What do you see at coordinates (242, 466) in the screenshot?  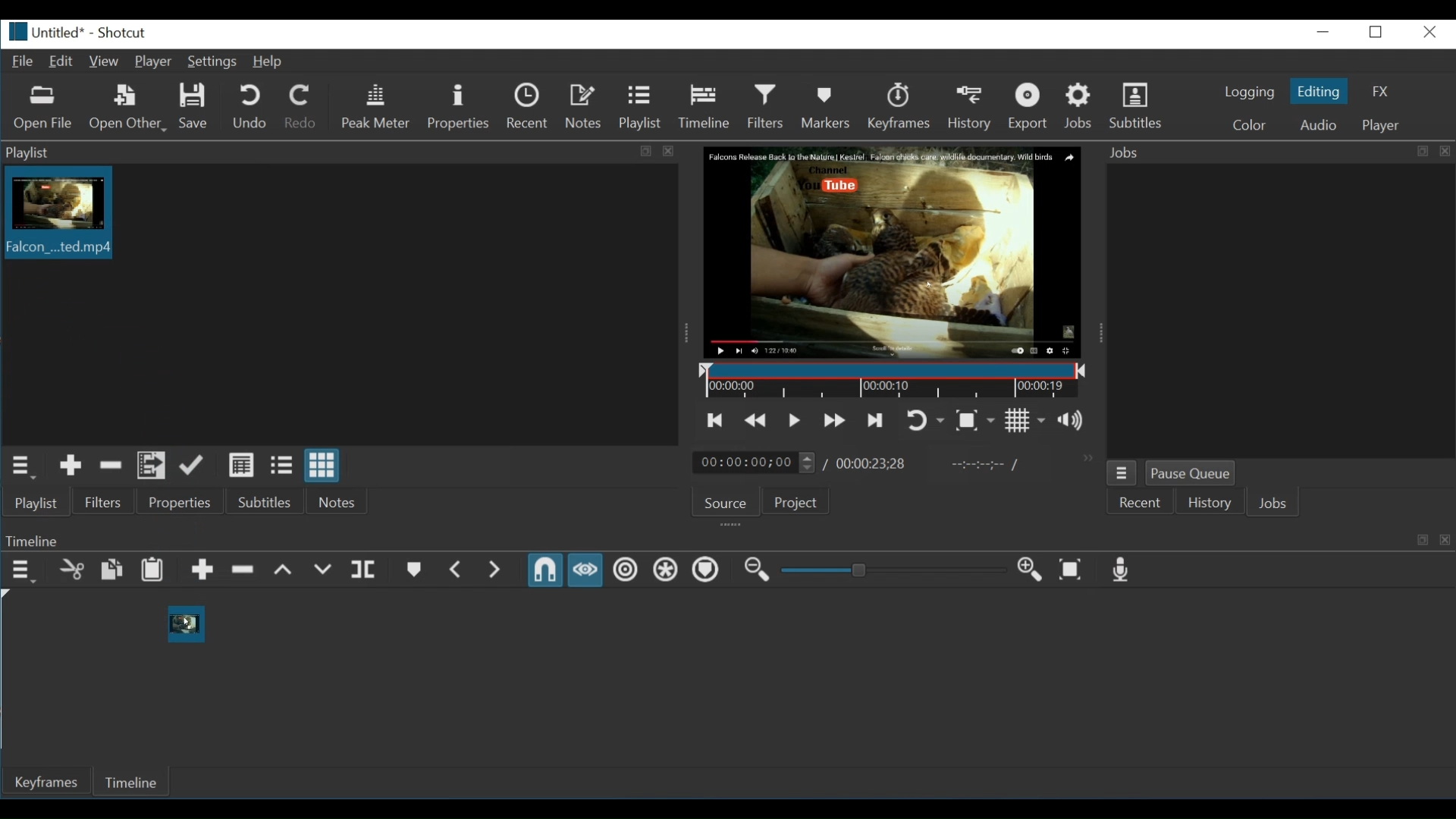 I see `View as detail` at bounding box center [242, 466].